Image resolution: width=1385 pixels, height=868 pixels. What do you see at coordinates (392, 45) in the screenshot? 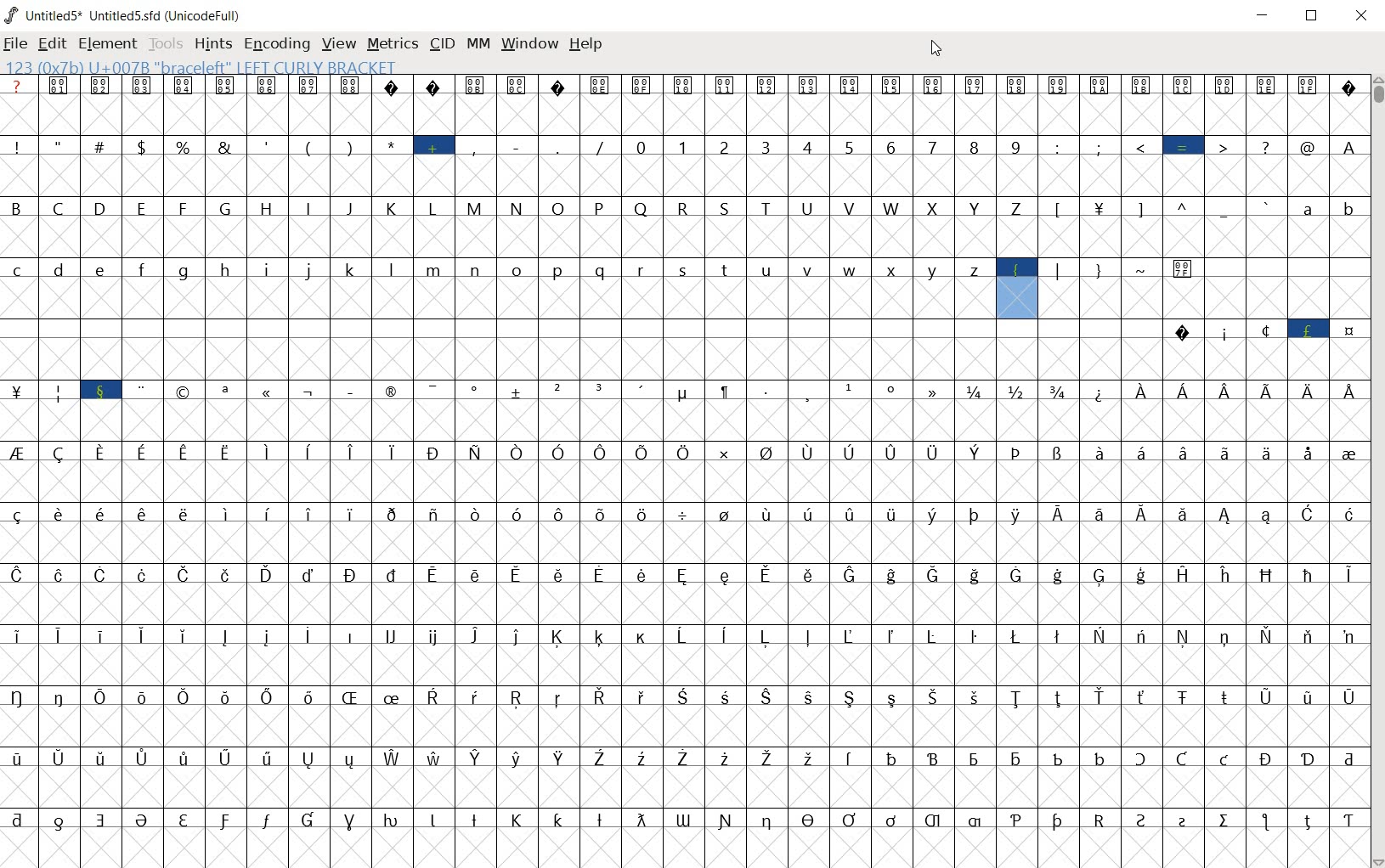
I see `METRICS` at bounding box center [392, 45].